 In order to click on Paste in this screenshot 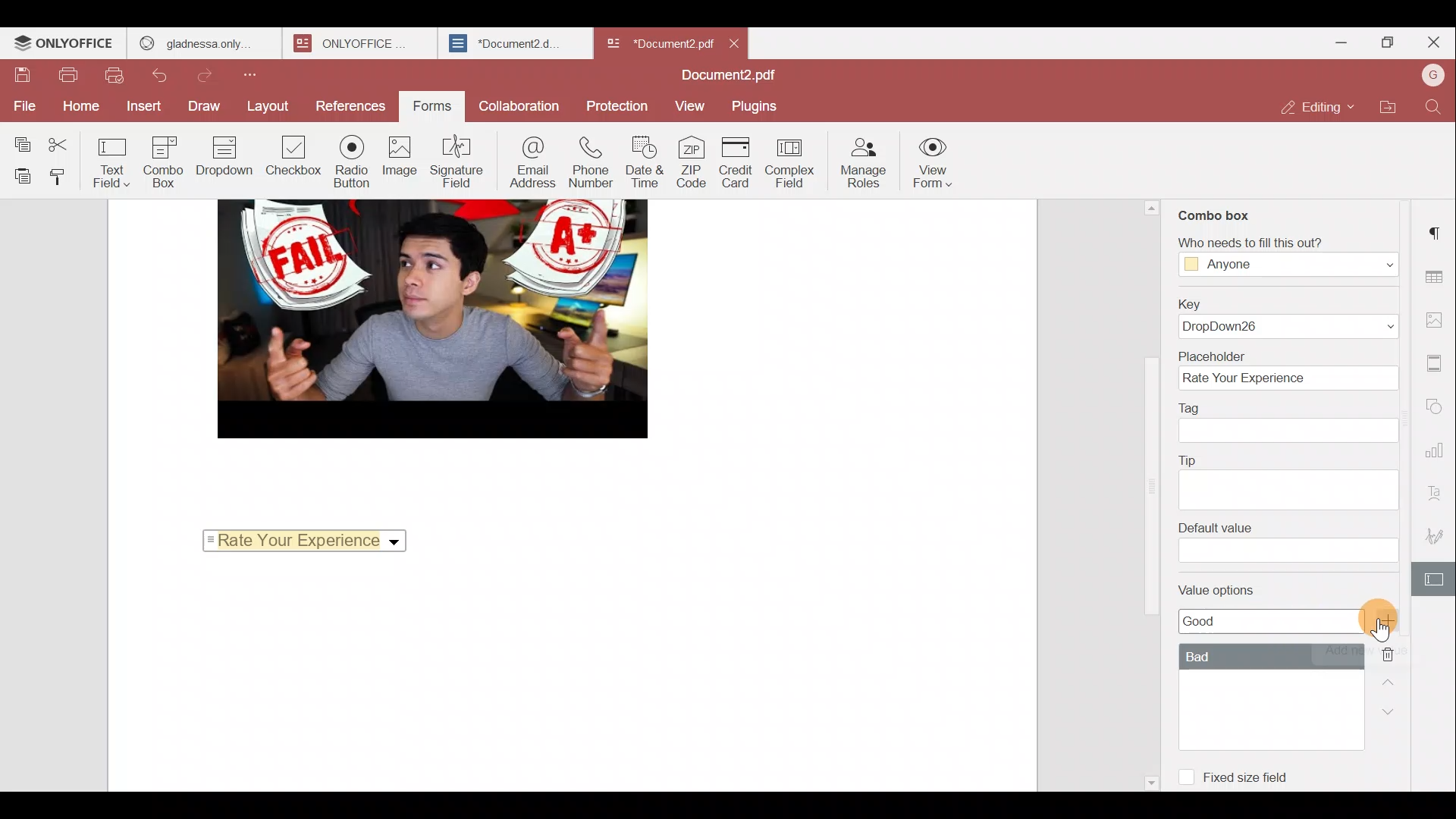, I will do `click(20, 176)`.